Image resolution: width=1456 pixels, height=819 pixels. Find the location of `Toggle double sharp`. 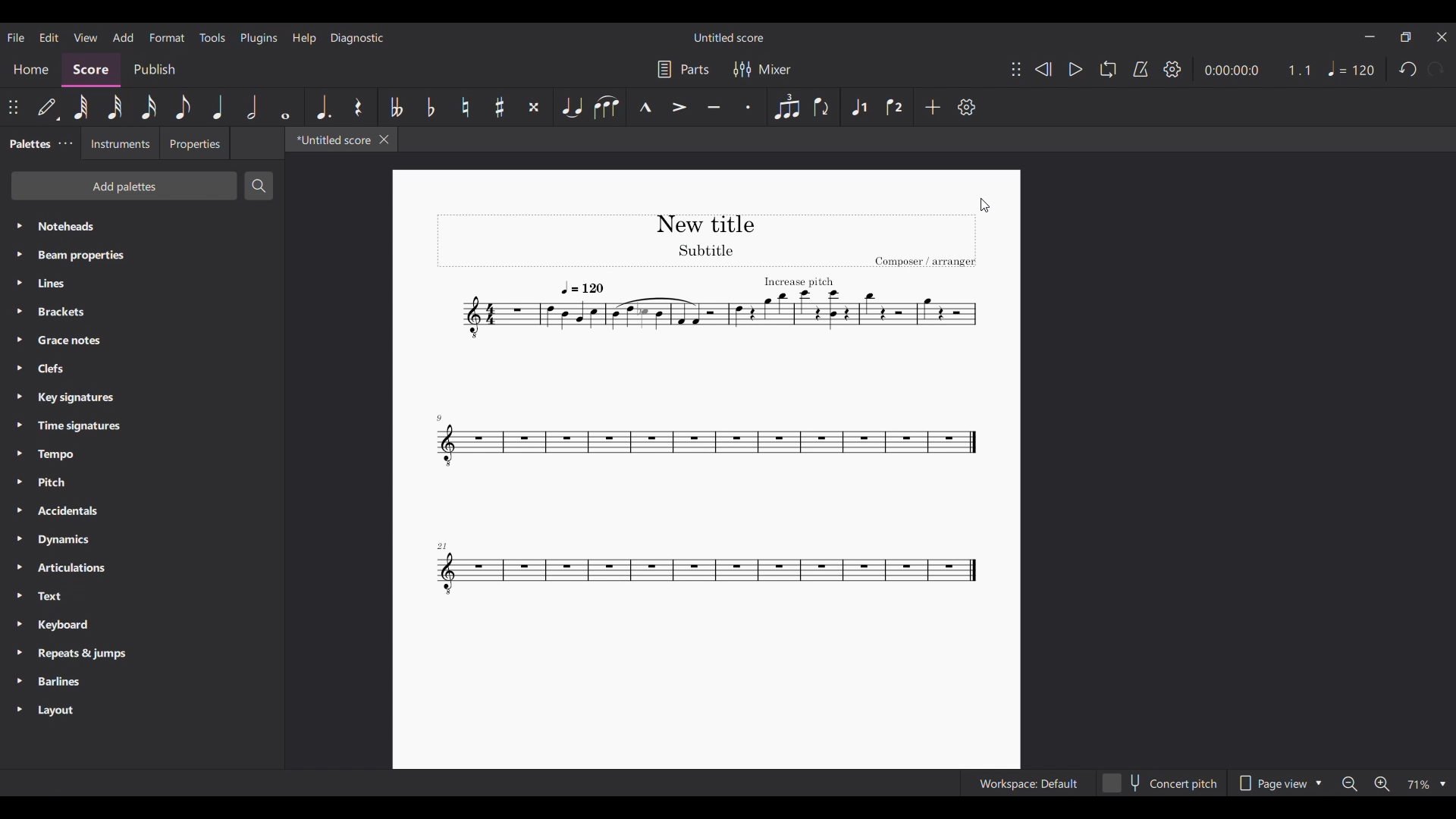

Toggle double sharp is located at coordinates (533, 108).